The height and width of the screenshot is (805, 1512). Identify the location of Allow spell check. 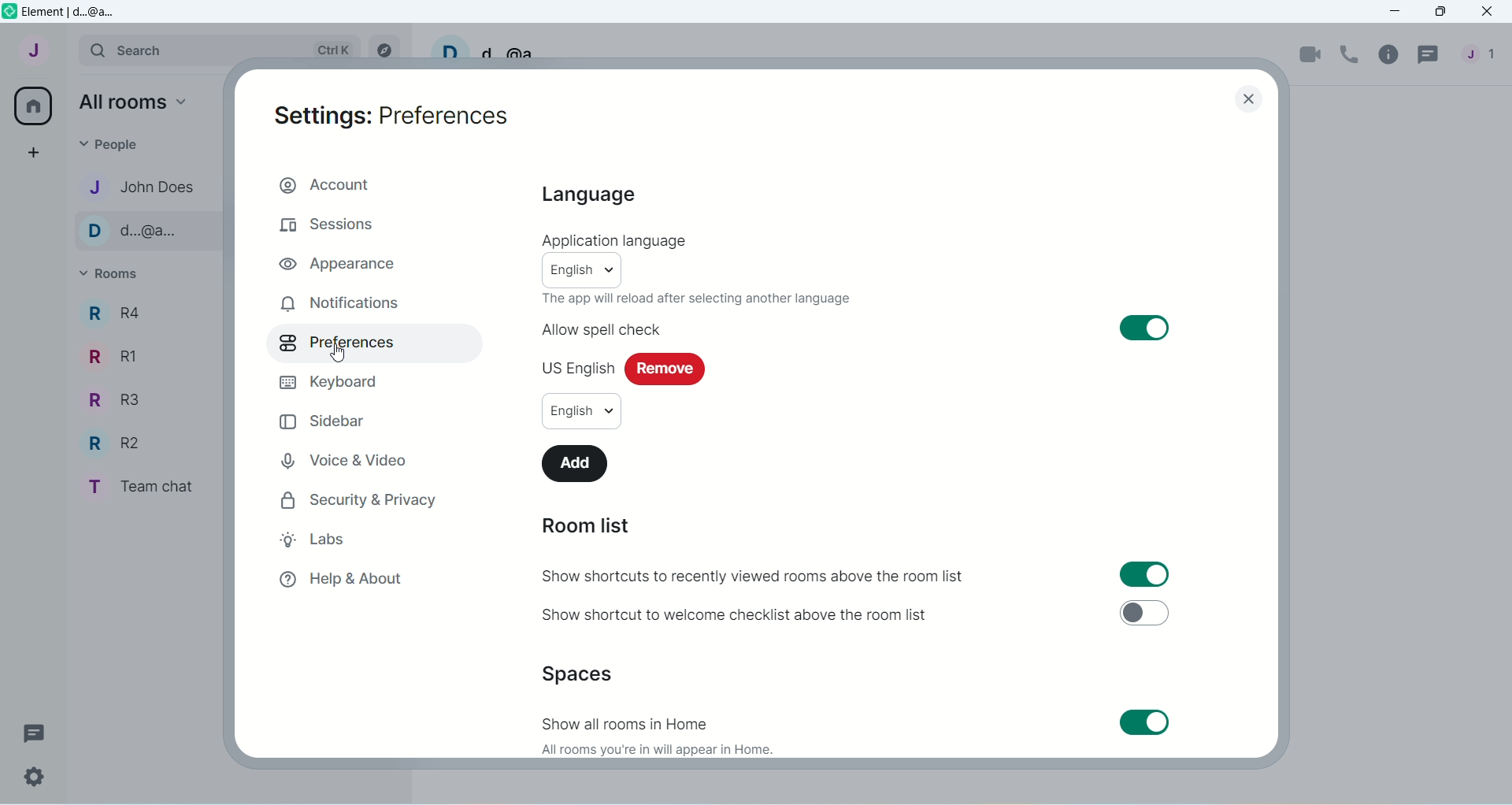
(601, 327).